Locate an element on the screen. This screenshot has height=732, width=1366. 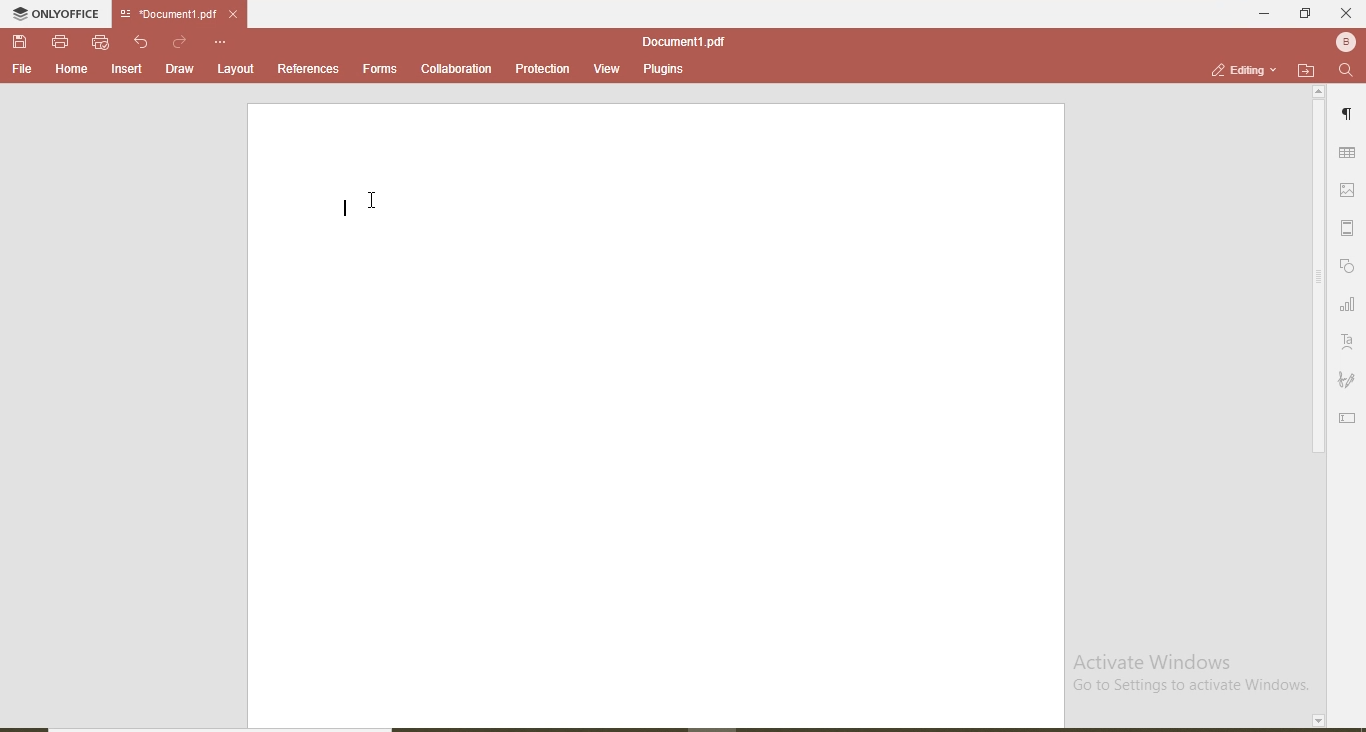
view is located at coordinates (601, 66).